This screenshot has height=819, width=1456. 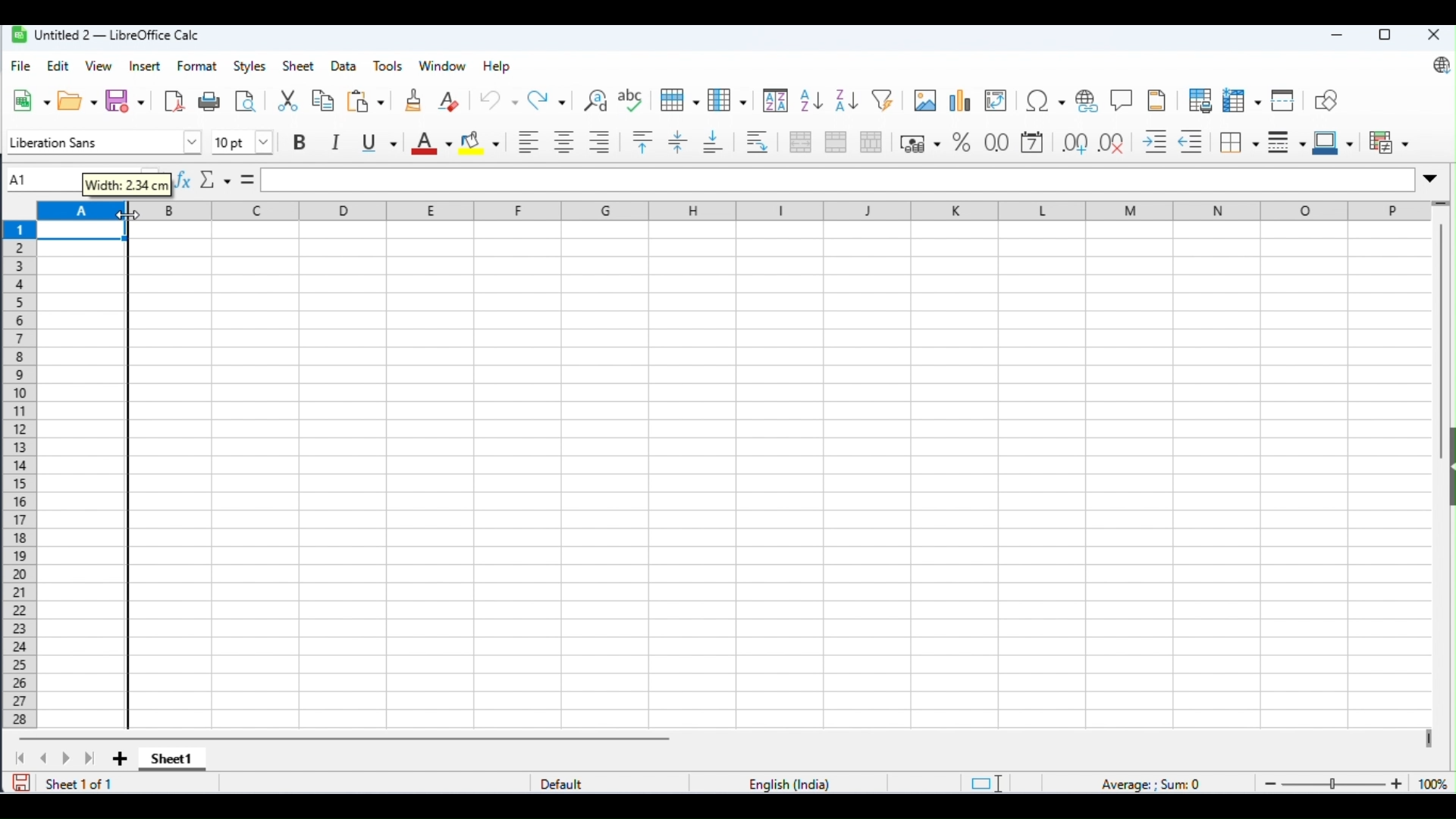 What do you see at coordinates (529, 140) in the screenshot?
I see `align left` at bounding box center [529, 140].